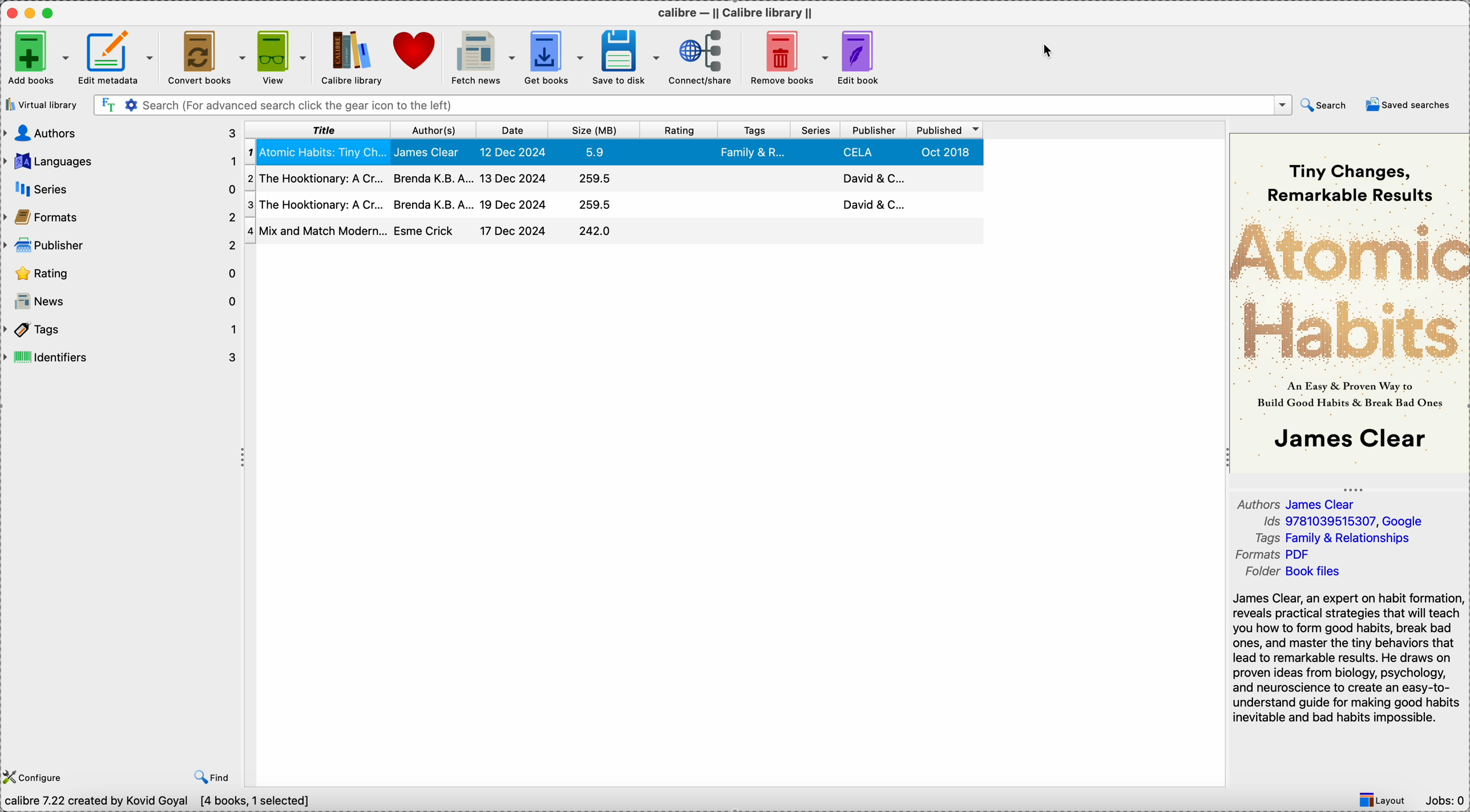 The image size is (1470, 812). What do you see at coordinates (41, 104) in the screenshot?
I see `virtual library` at bounding box center [41, 104].